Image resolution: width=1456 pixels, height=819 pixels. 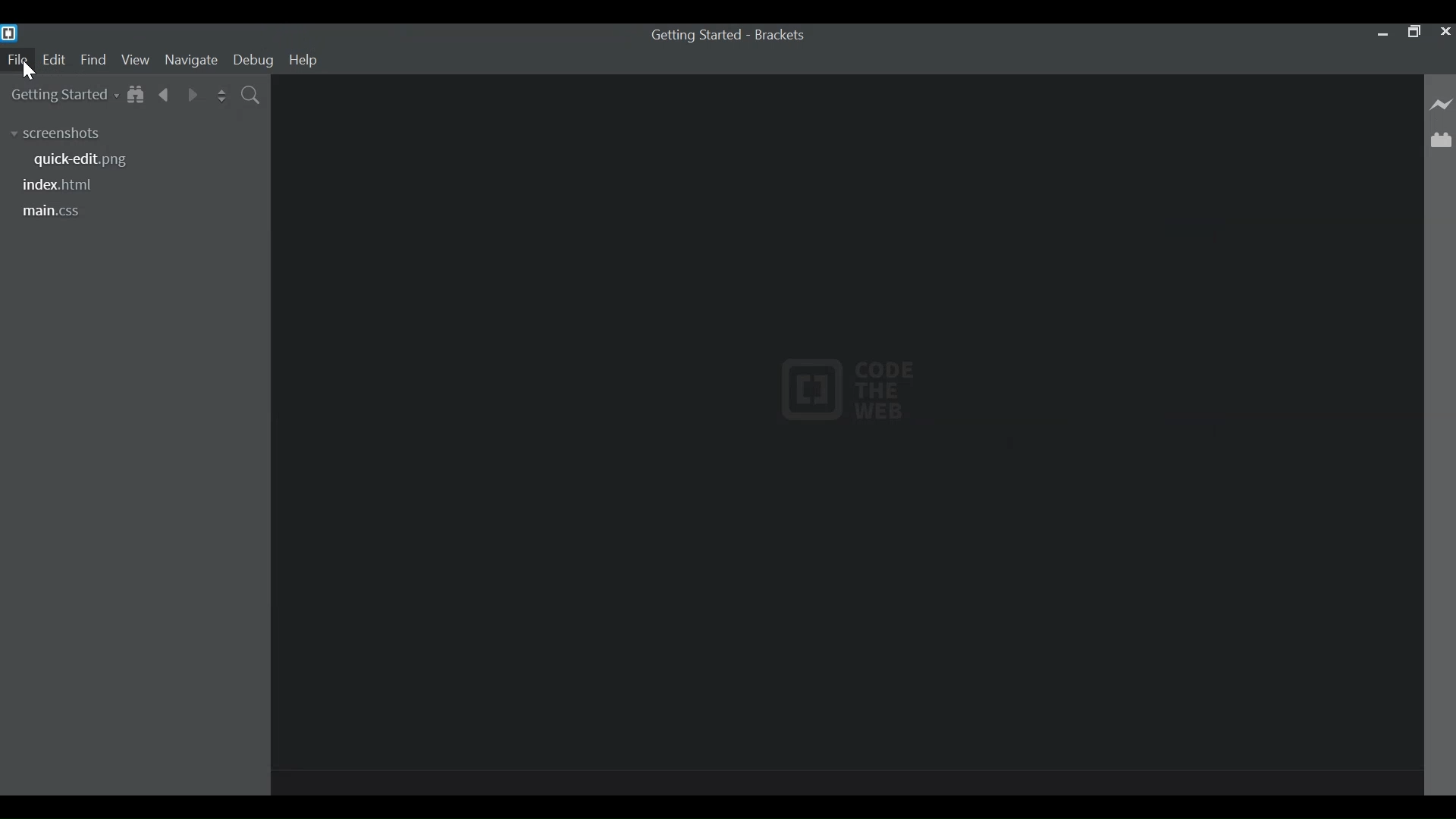 I want to click on quick-edit.png, so click(x=86, y=160).